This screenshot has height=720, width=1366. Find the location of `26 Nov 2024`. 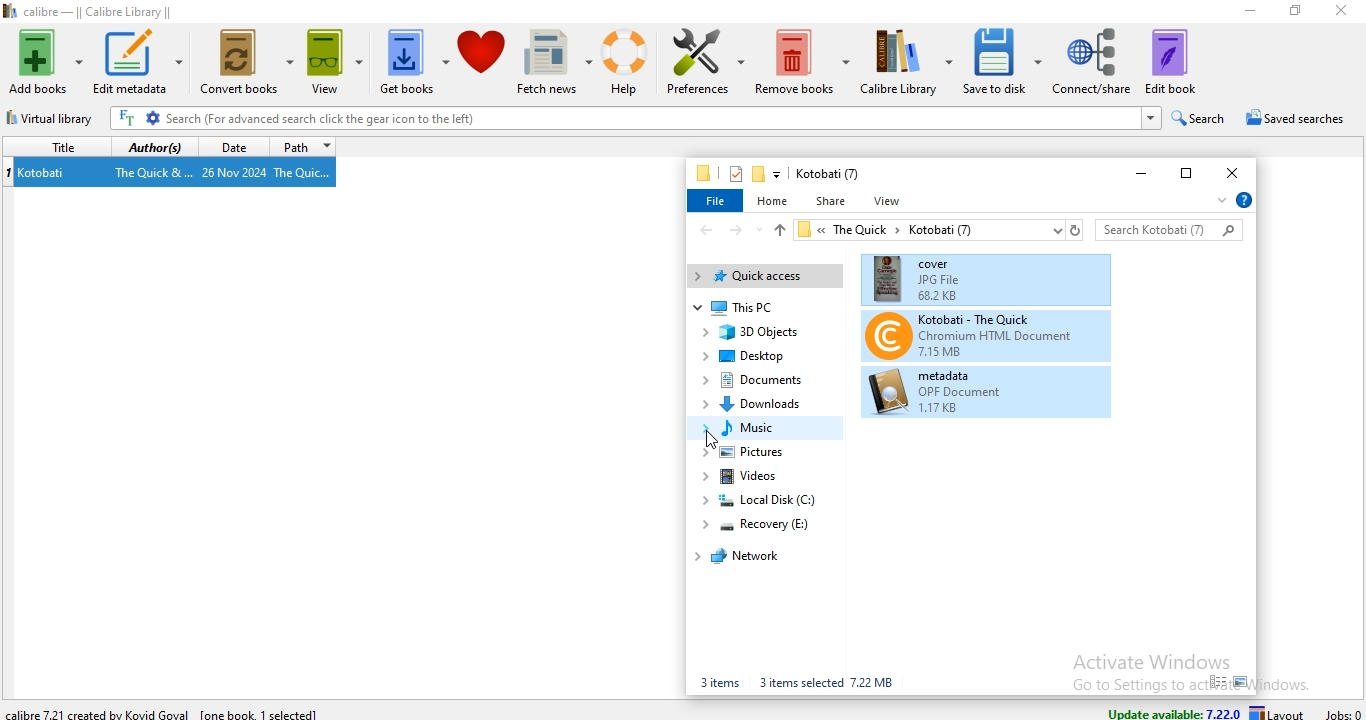

26 Nov 2024 is located at coordinates (235, 173).